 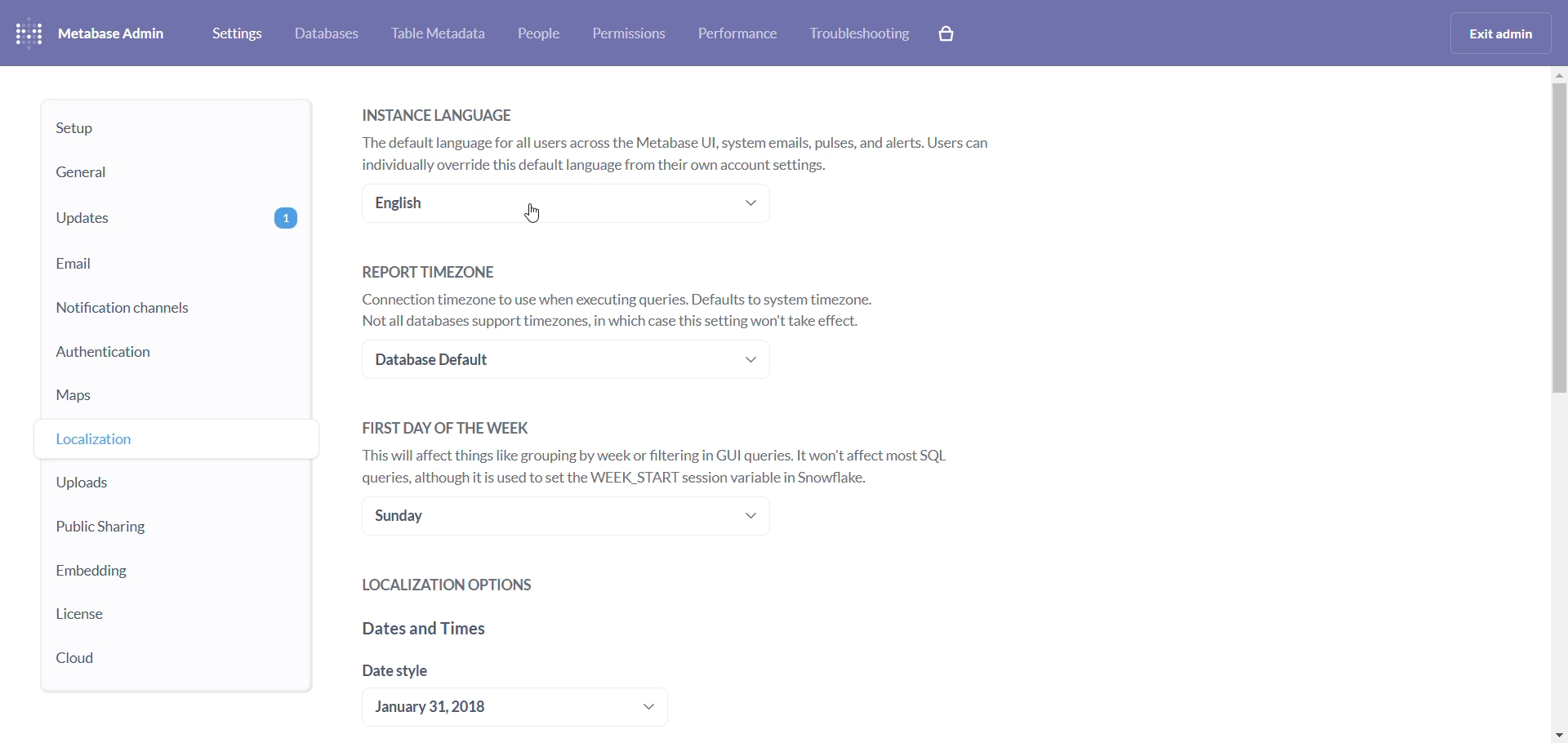 I want to click on date style dropdown, so click(x=512, y=710).